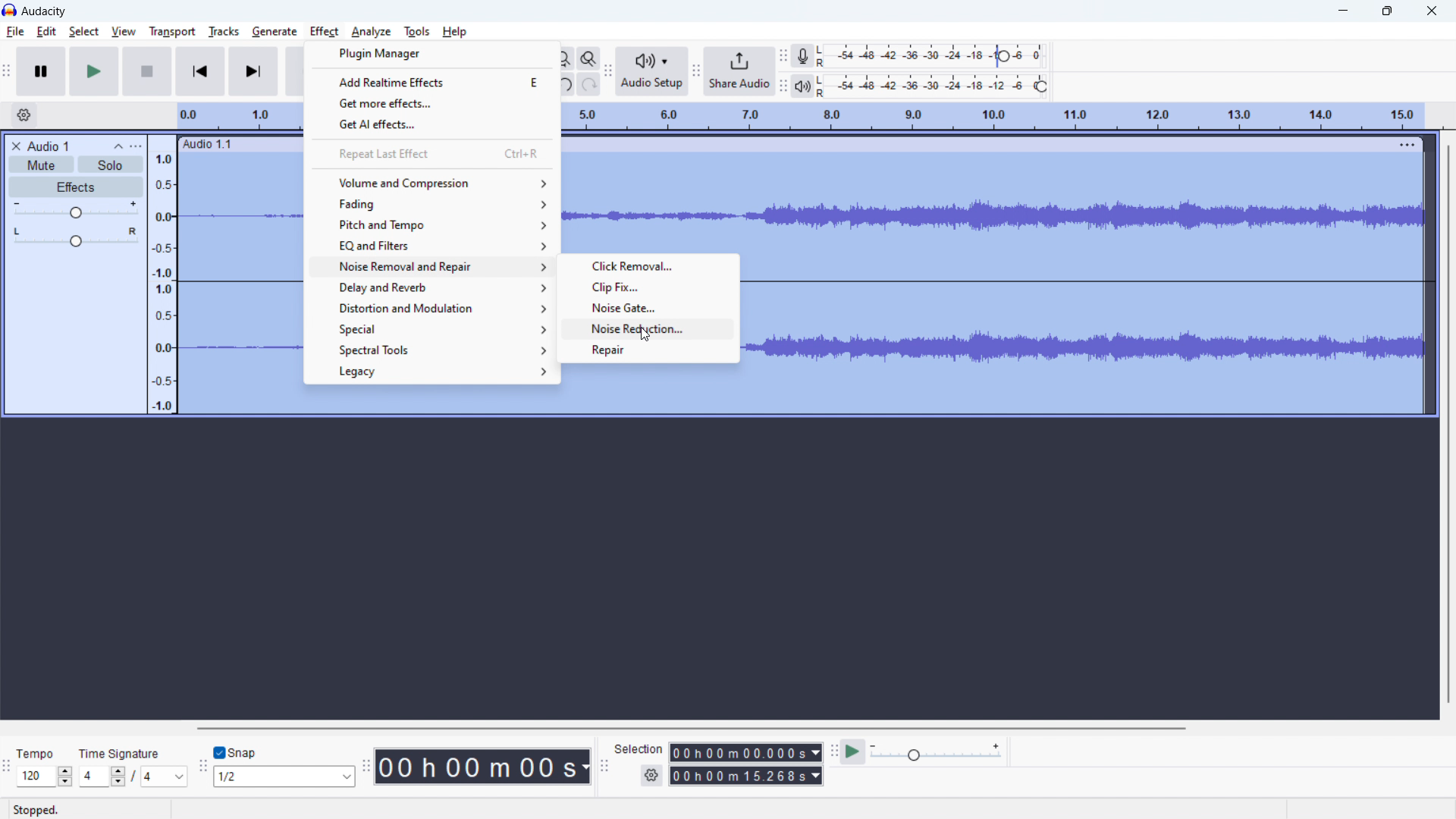 Image resolution: width=1456 pixels, height=819 pixels. I want to click on effect, so click(325, 32).